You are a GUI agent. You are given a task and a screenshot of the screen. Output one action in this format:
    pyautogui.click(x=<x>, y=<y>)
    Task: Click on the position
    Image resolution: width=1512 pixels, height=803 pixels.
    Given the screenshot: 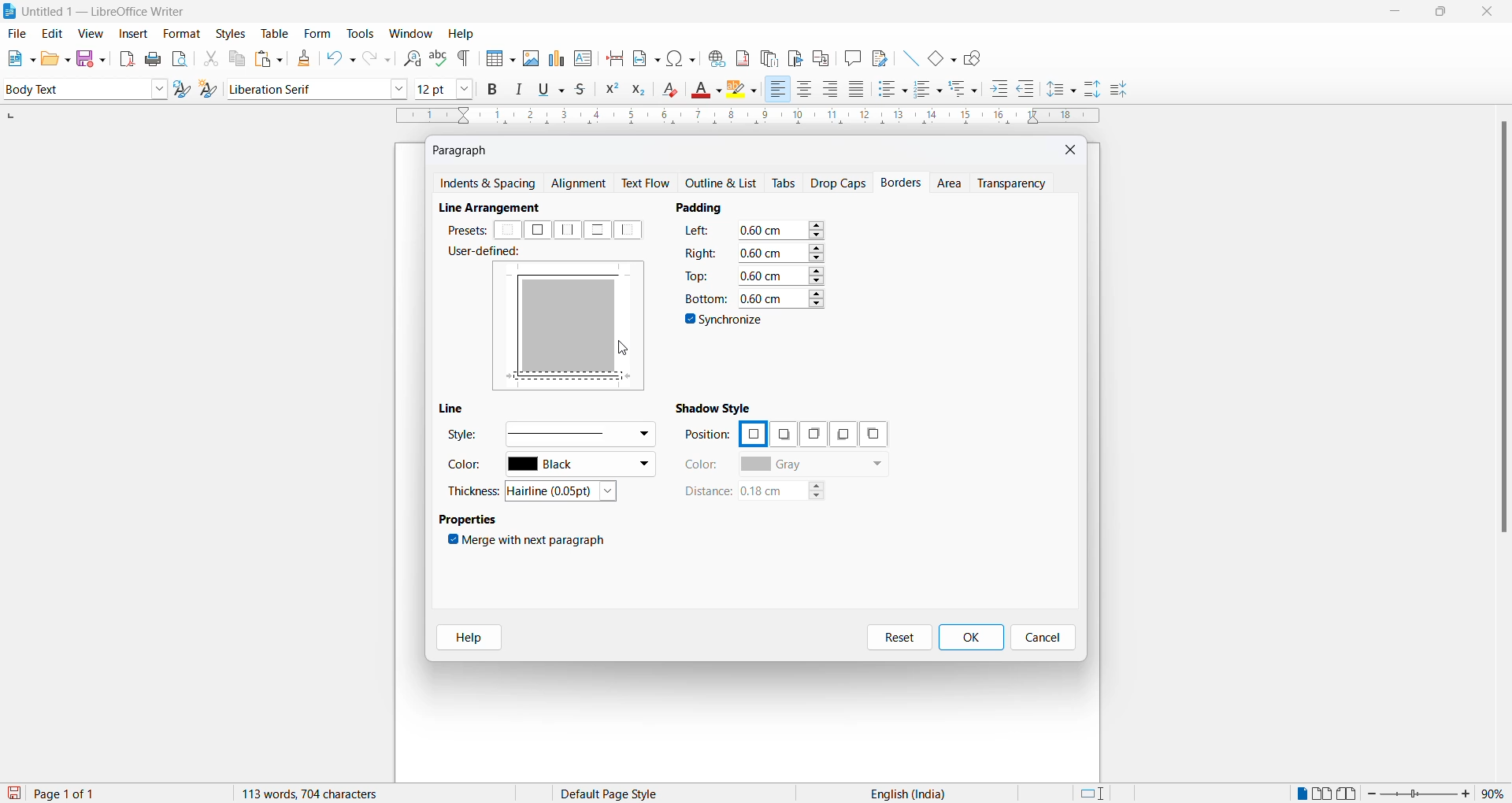 What is the action you would take?
    pyautogui.click(x=707, y=435)
    